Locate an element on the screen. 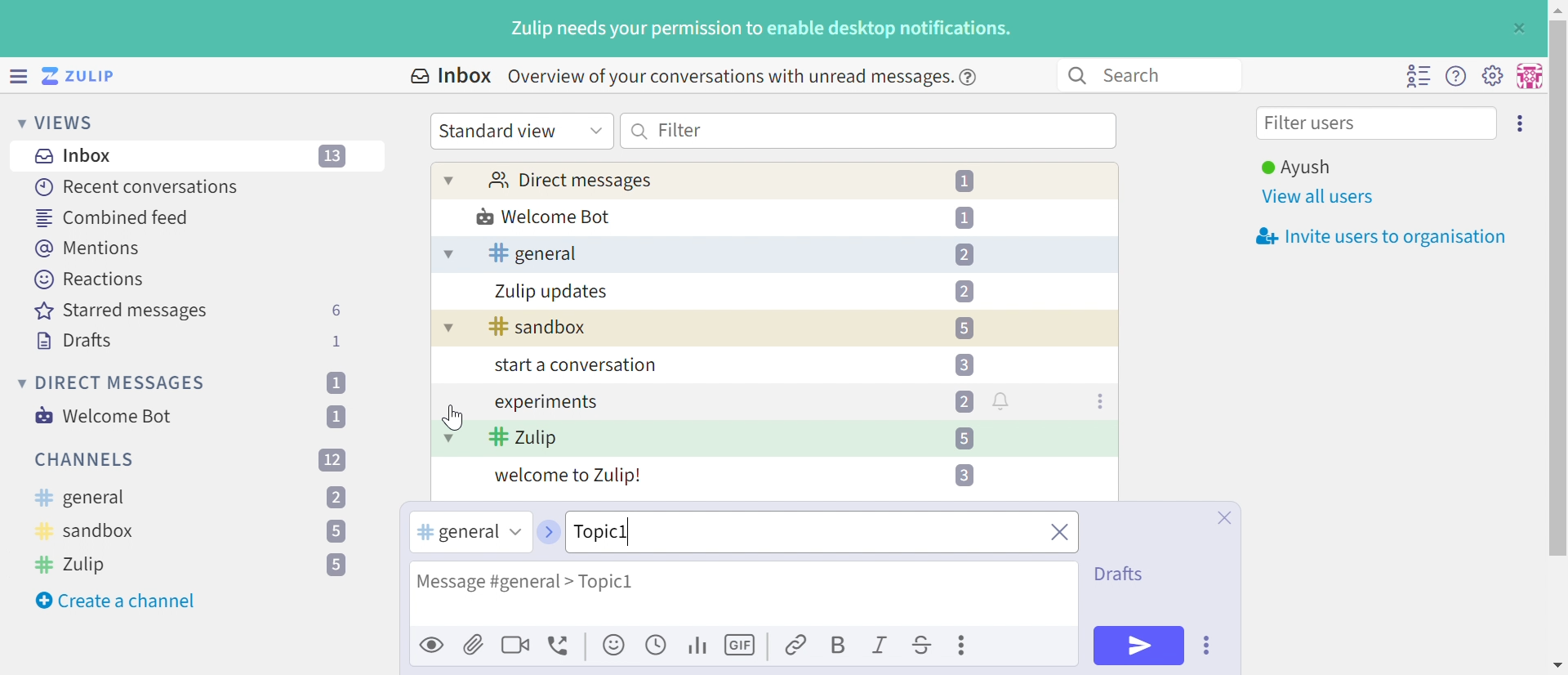  Drop Down is located at coordinates (448, 437).